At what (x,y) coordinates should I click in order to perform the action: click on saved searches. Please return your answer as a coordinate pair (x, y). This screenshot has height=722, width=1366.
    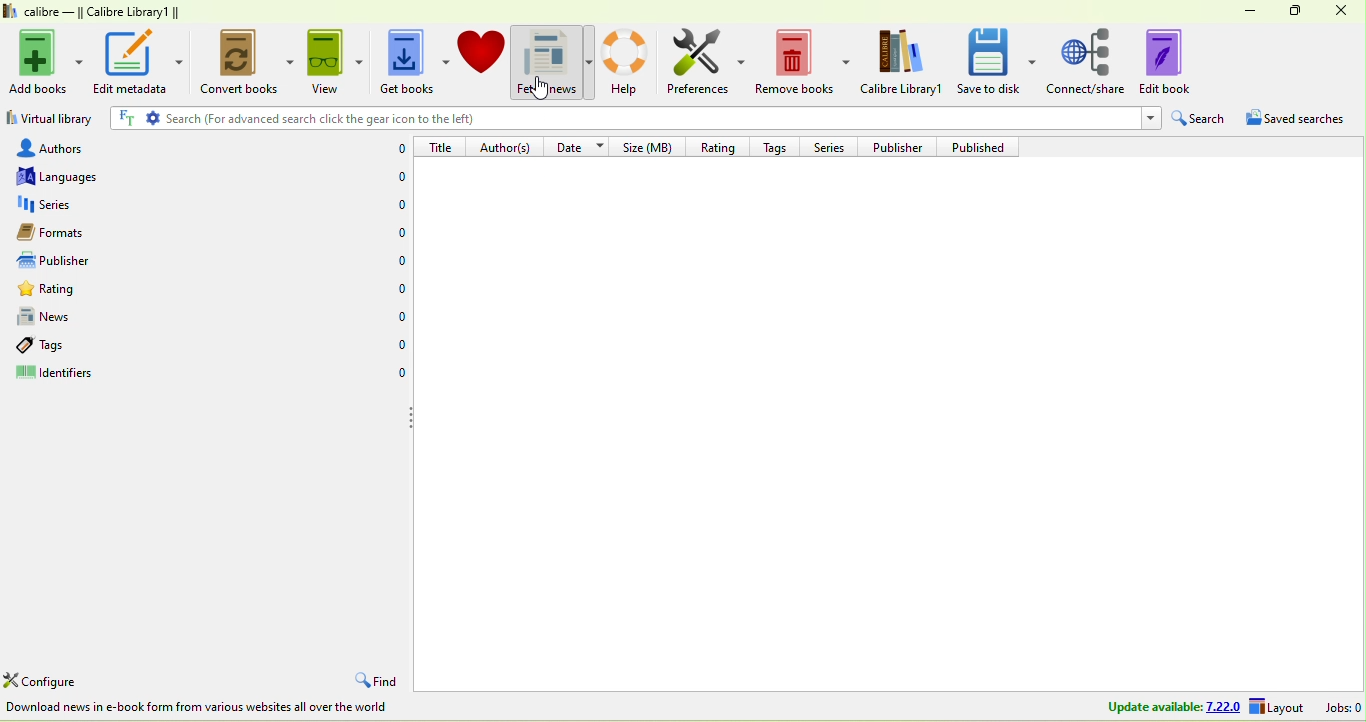
    Looking at the image, I should click on (1296, 118).